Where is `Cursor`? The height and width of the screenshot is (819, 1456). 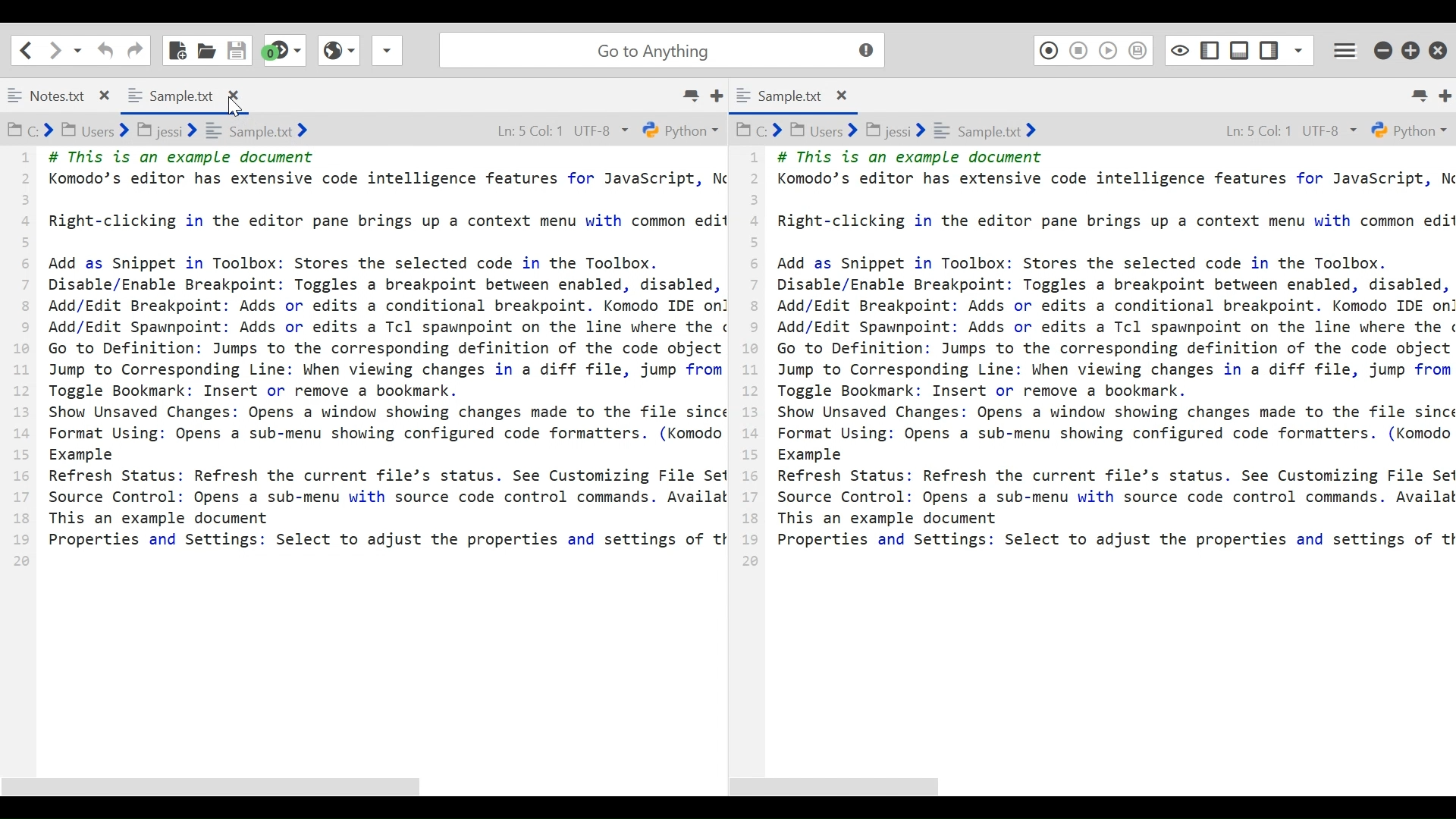
Cursor is located at coordinates (231, 104).